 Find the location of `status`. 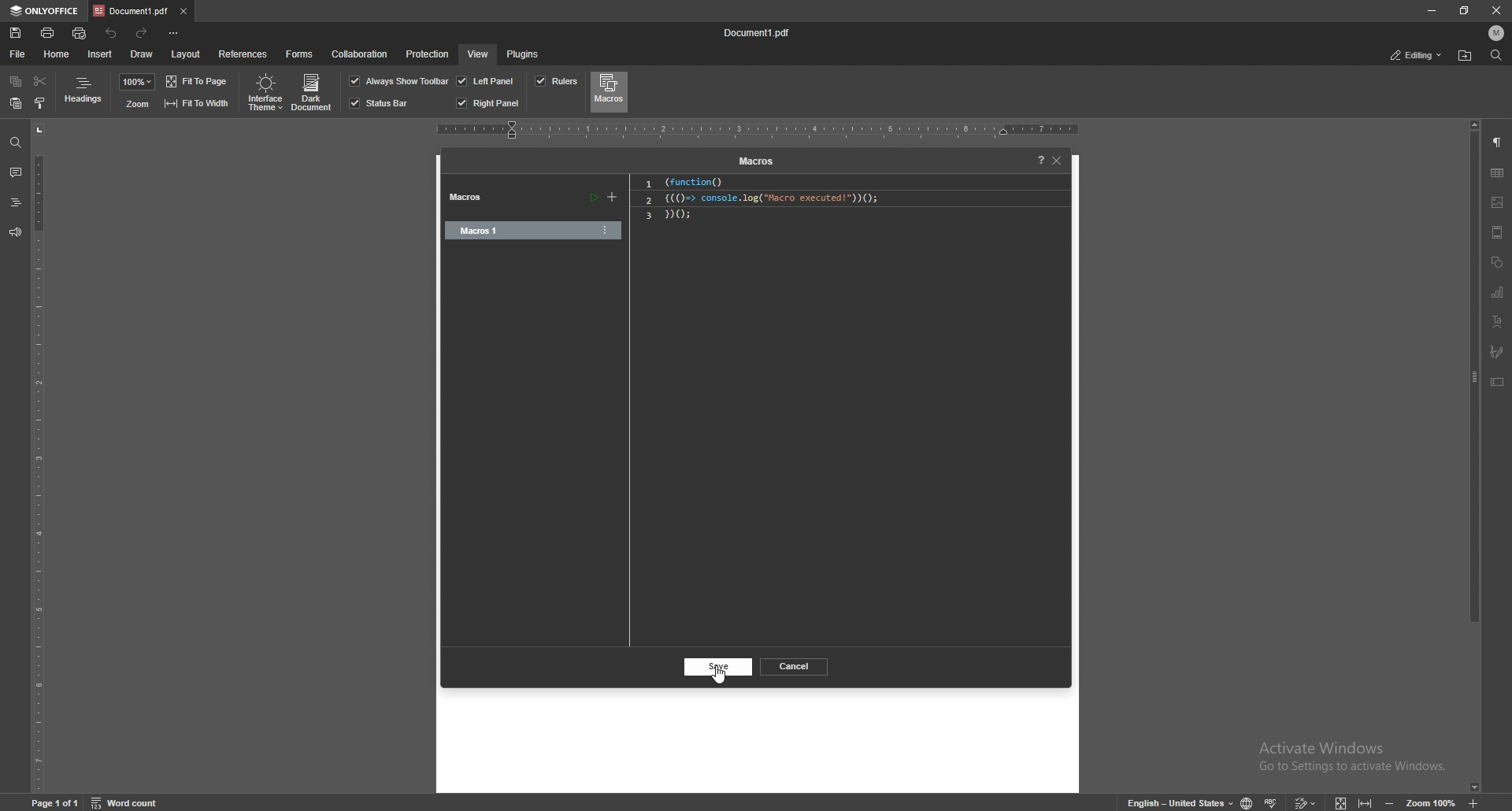

status is located at coordinates (1417, 54).